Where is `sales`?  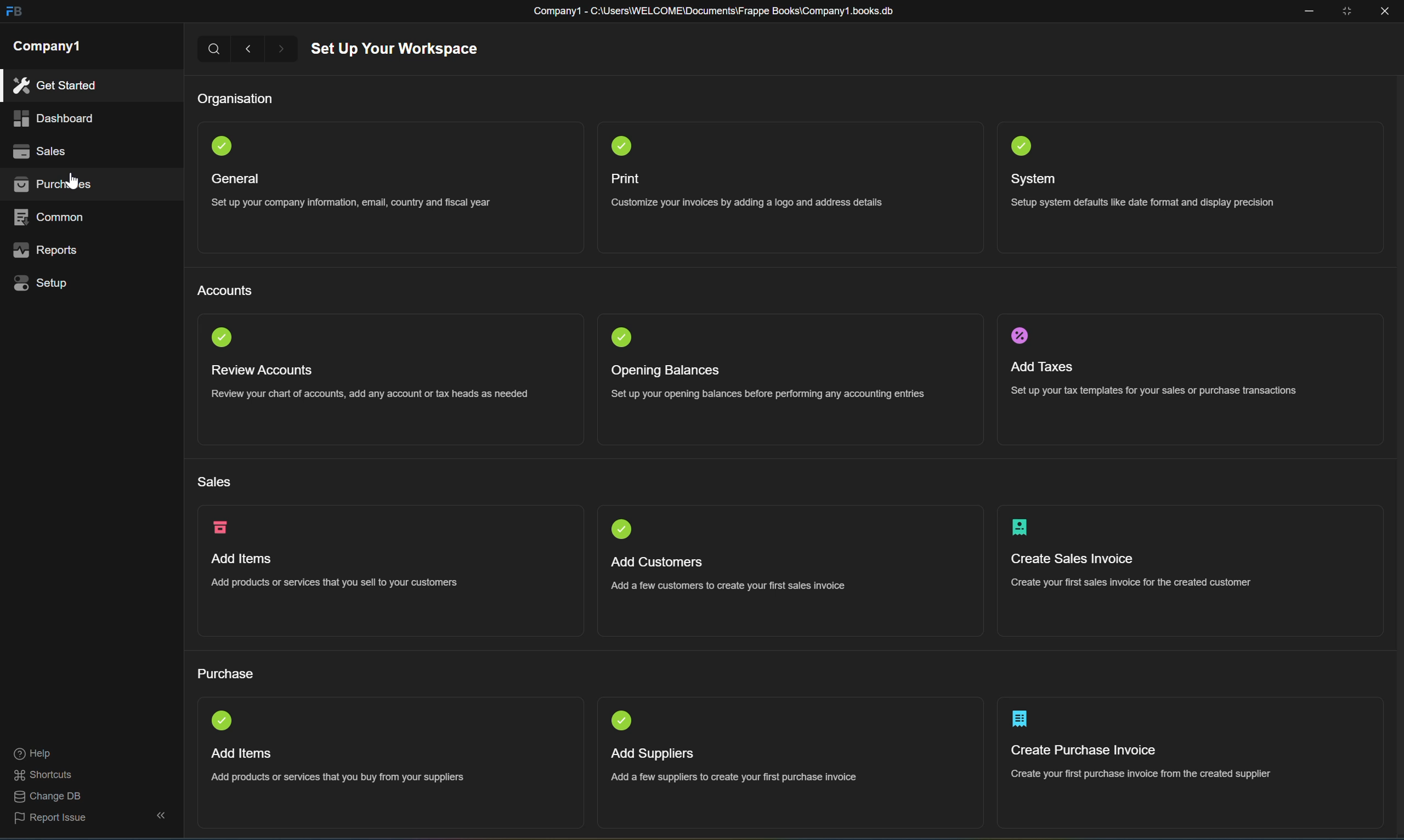
sales is located at coordinates (215, 483).